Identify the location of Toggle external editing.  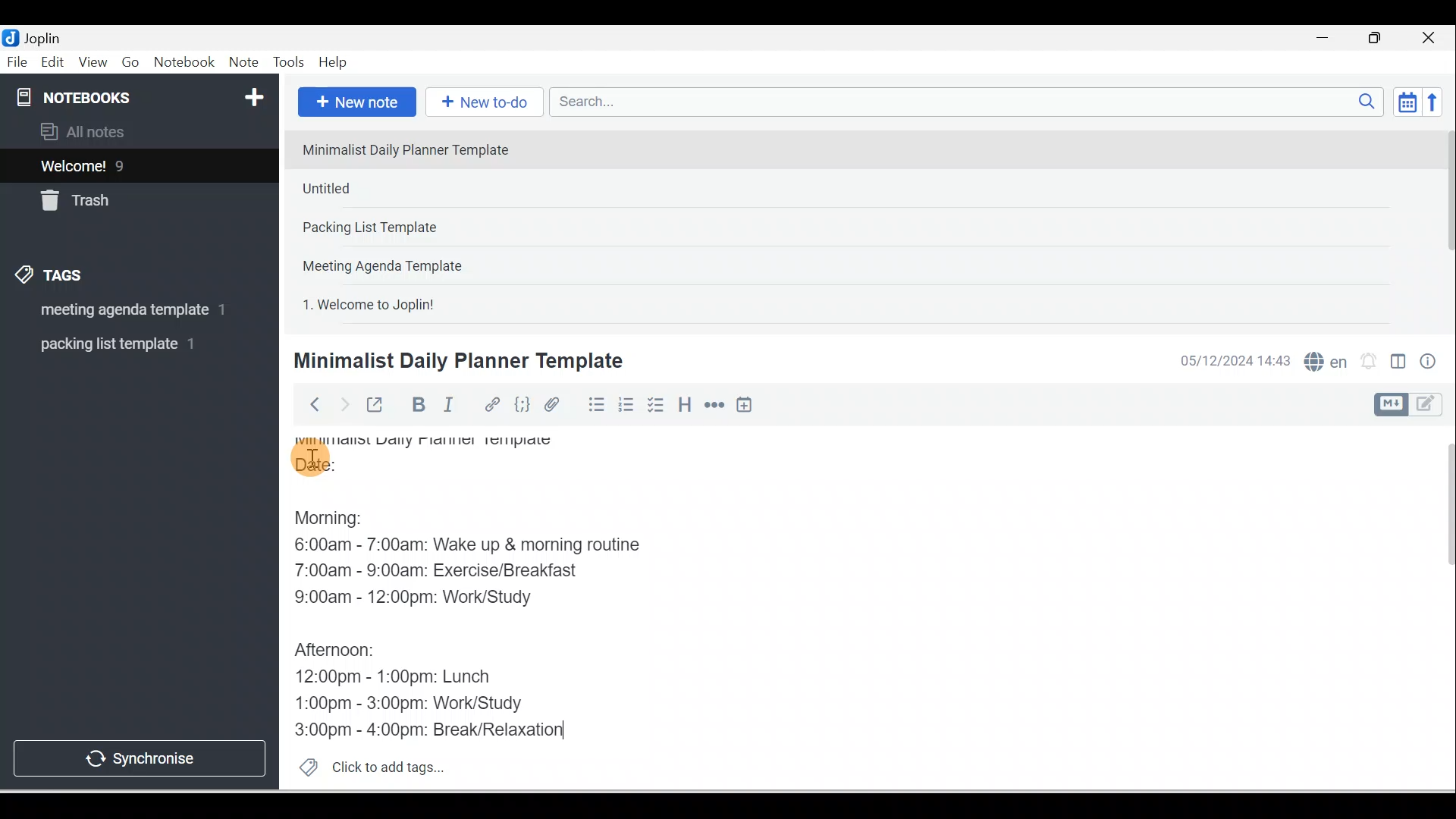
(377, 408).